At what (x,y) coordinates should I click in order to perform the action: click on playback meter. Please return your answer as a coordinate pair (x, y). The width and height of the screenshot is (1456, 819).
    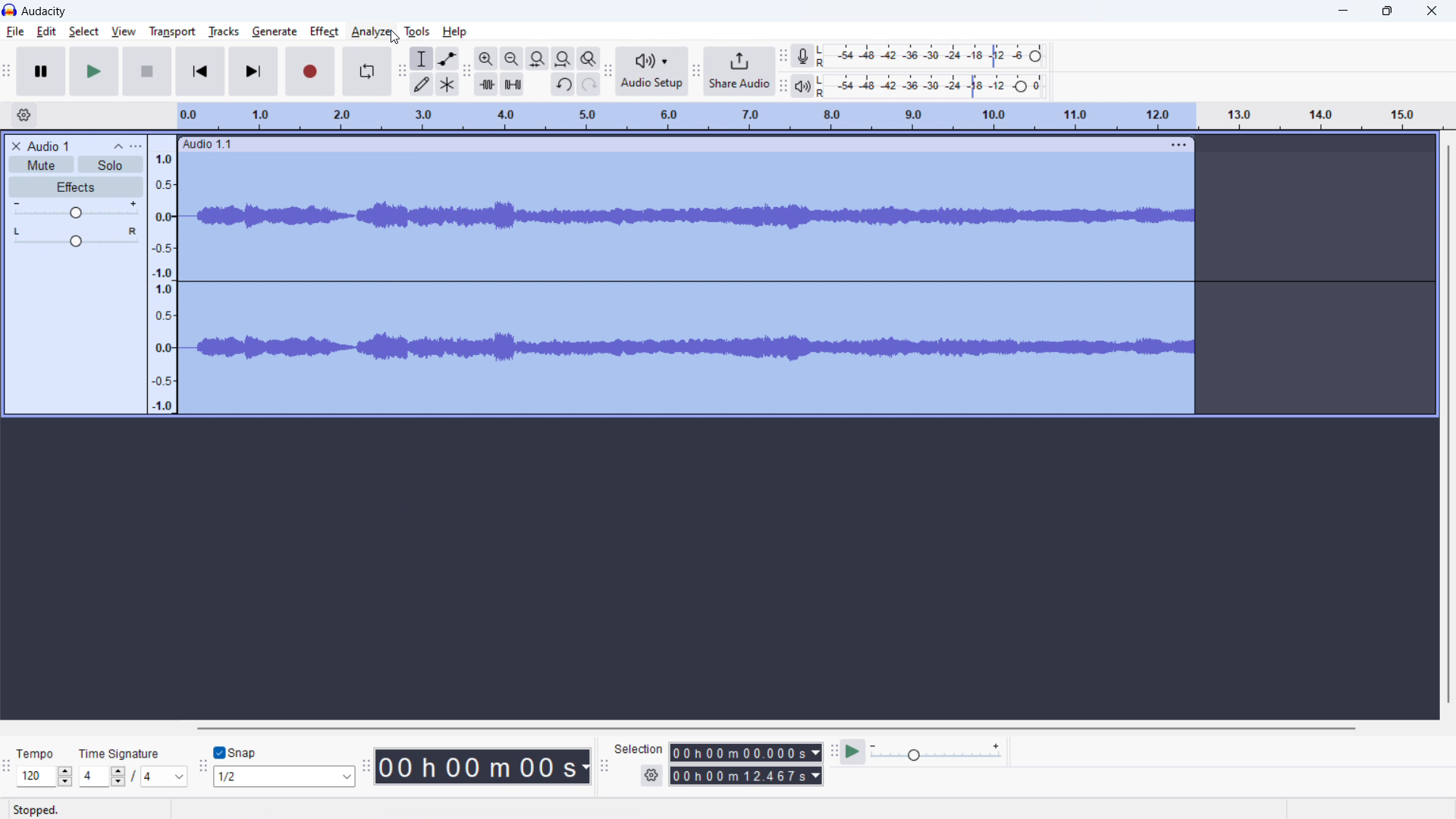
    Looking at the image, I should click on (803, 86).